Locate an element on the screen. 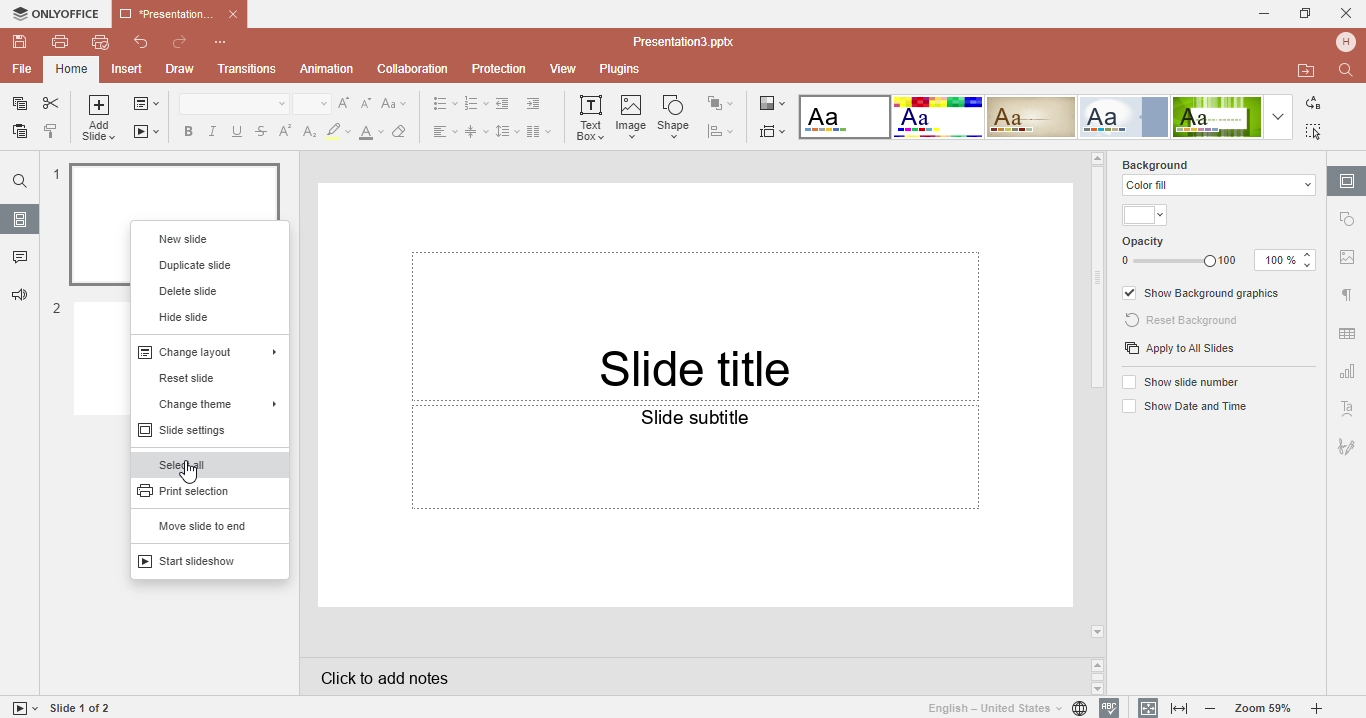 The width and height of the screenshot is (1366, 718). Bullets is located at coordinates (444, 104).